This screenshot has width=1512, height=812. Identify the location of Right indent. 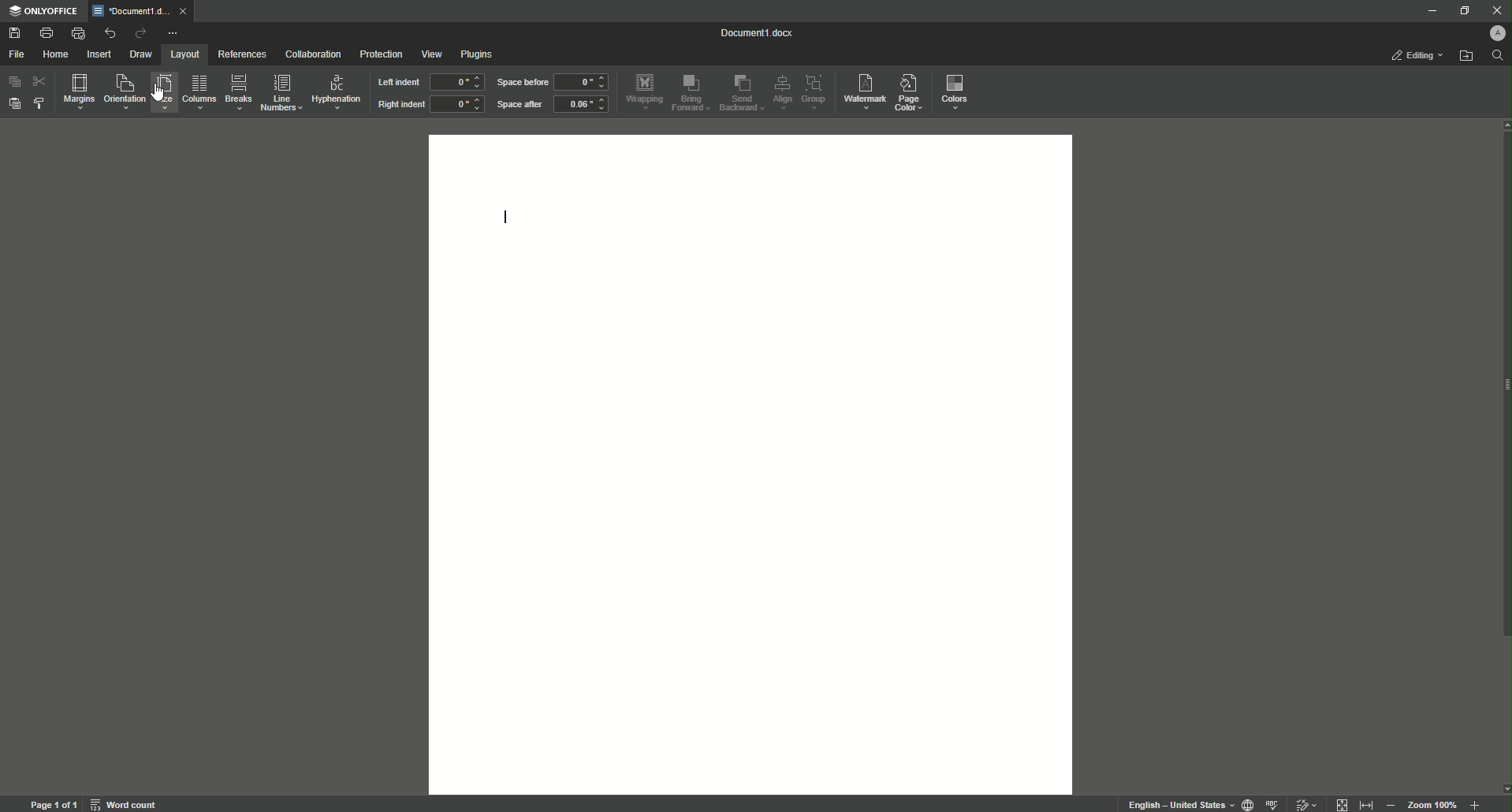
(400, 105).